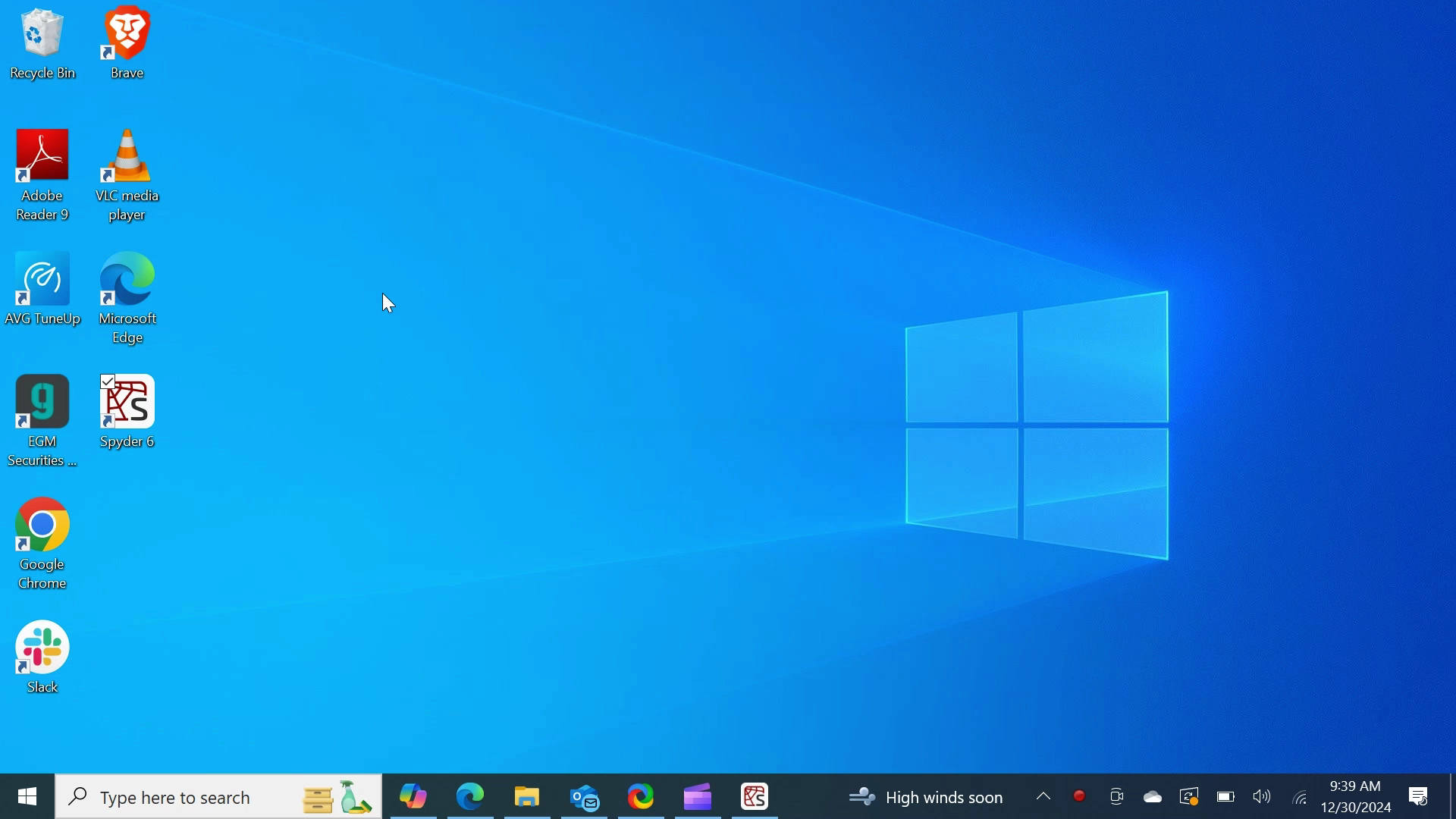 This screenshot has height=819, width=1456. Describe the element at coordinates (130, 305) in the screenshot. I see `Microsoft Edge Desktop Icon` at that location.